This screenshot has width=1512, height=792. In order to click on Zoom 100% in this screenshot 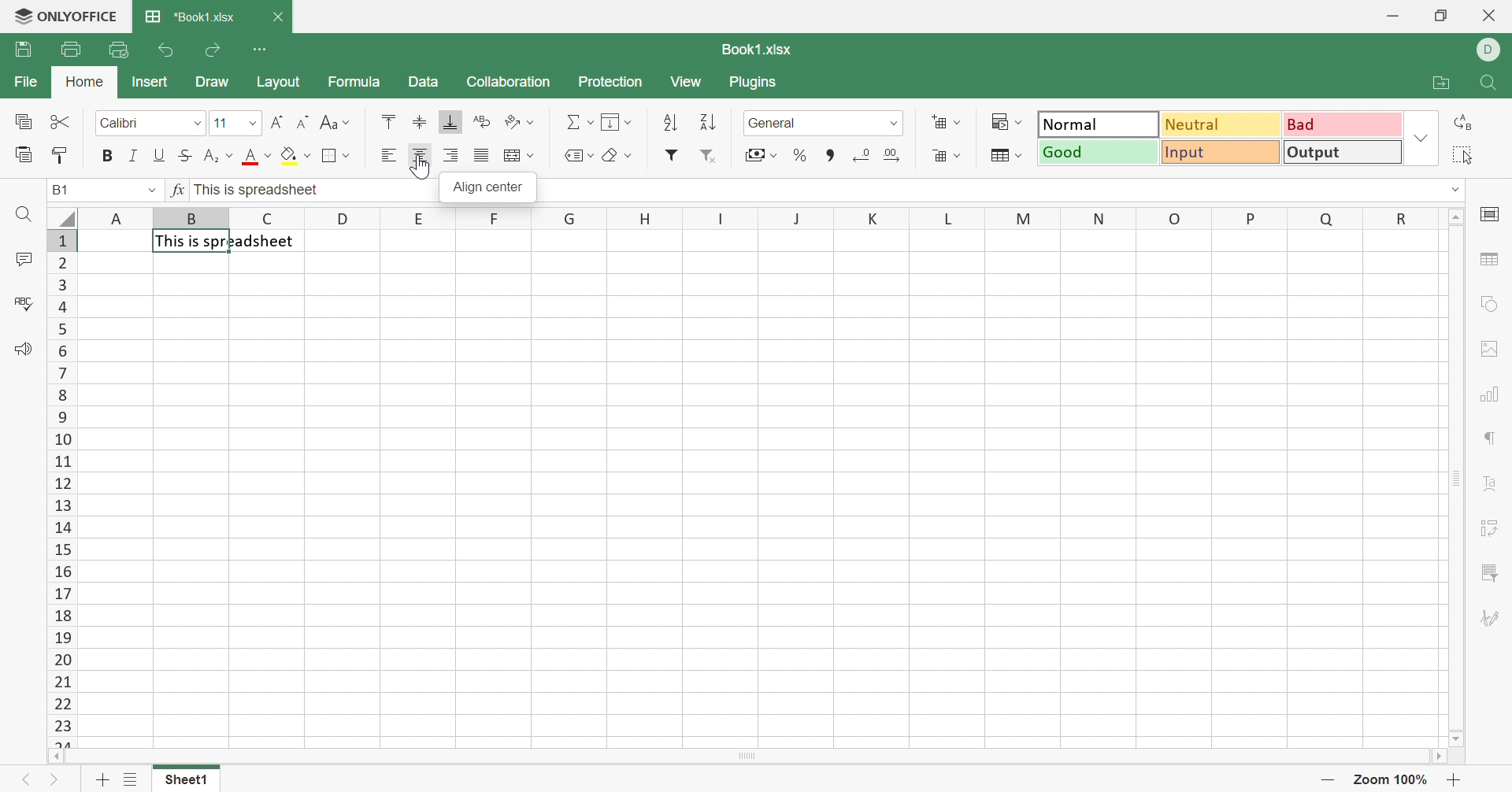, I will do `click(1389, 779)`.